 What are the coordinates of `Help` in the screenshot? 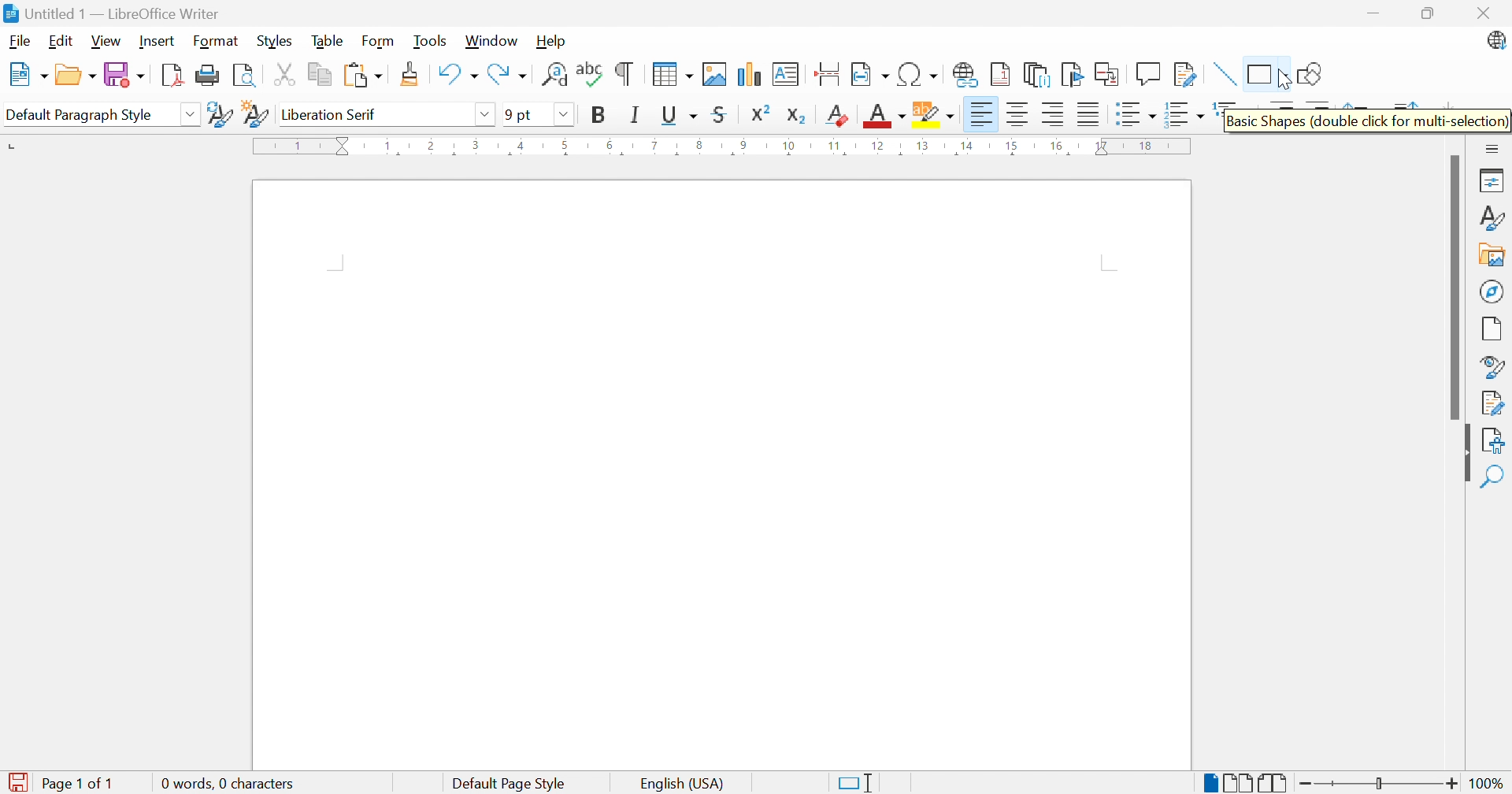 It's located at (552, 40).